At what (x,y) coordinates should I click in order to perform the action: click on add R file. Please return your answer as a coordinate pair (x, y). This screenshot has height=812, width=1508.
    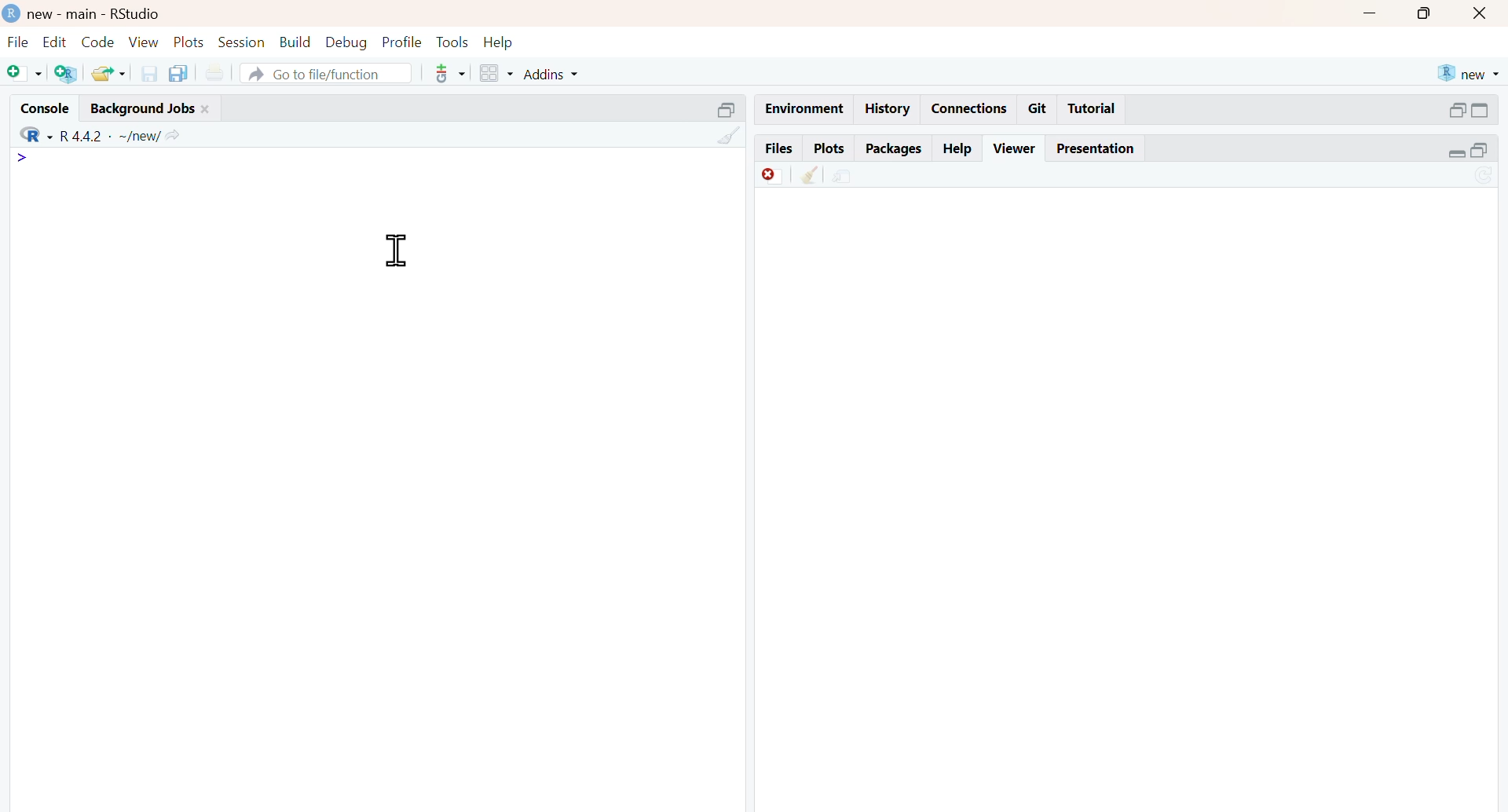
    Looking at the image, I should click on (68, 75).